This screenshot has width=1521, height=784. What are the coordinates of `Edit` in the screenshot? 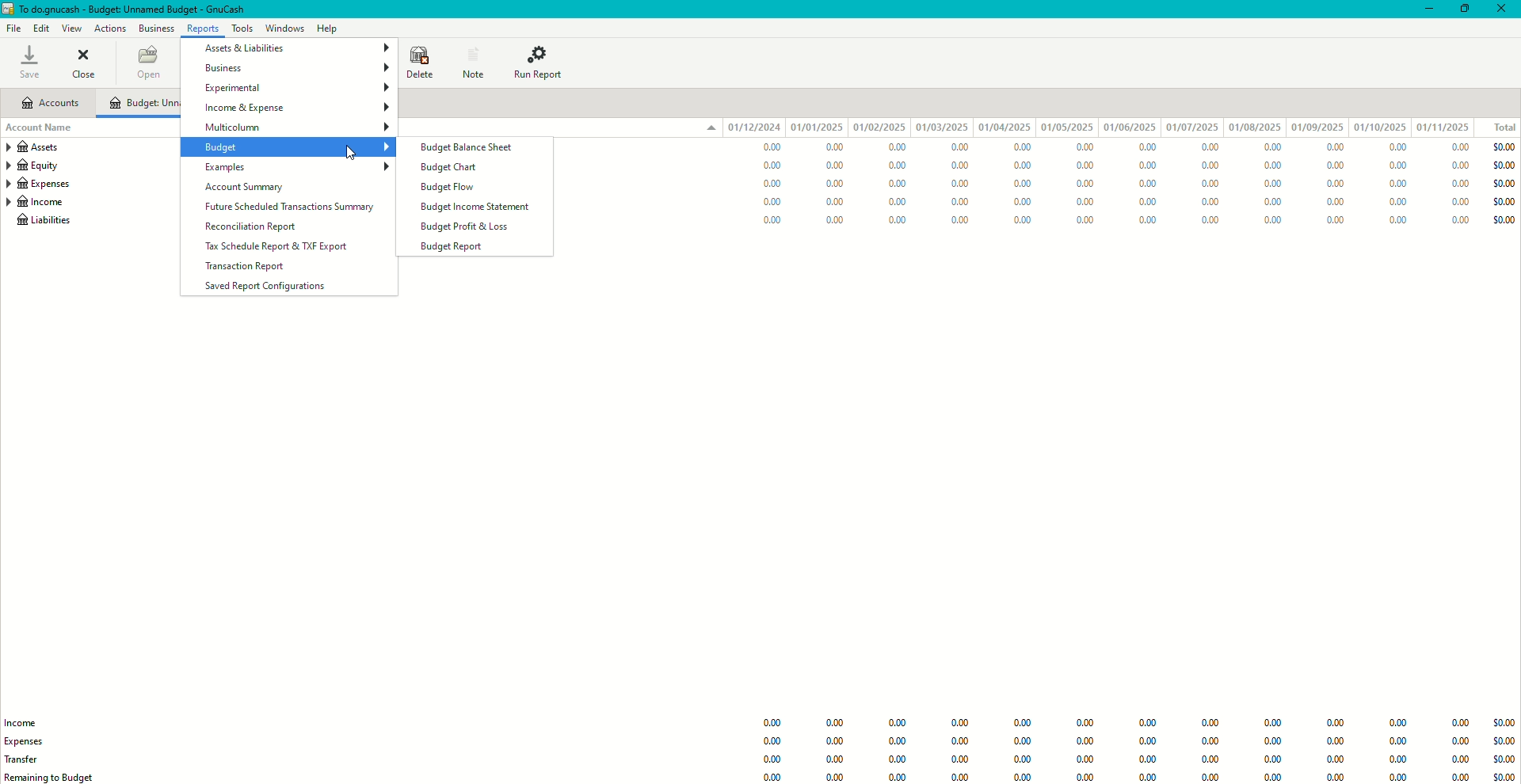 It's located at (42, 29).